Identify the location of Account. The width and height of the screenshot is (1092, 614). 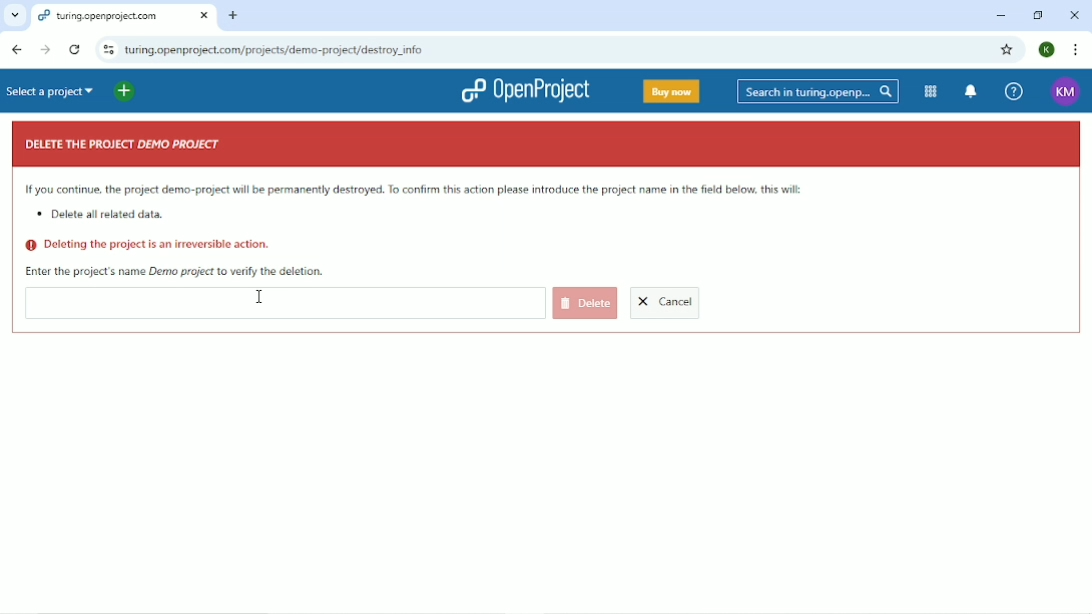
(1048, 50).